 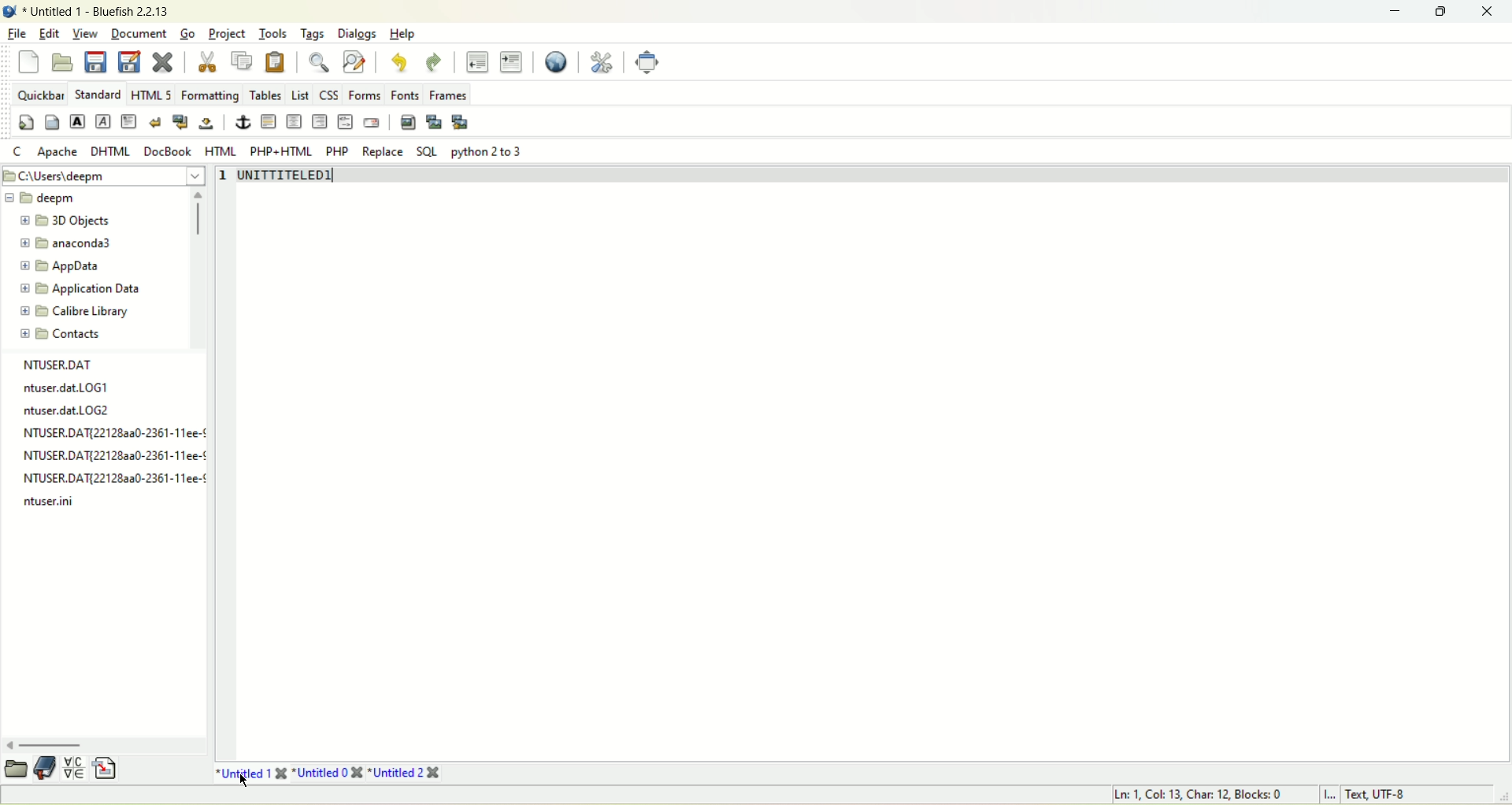 I want to click on Replace, so click(x=383, y=152).